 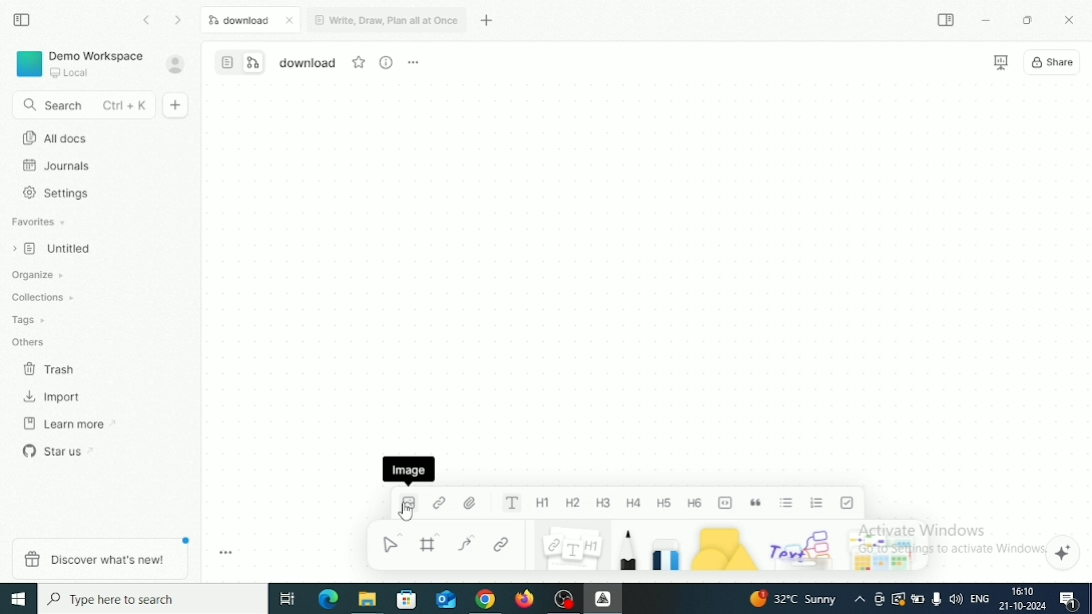 What do you see at coordinates (408, 514) in the screenshot?
I see `Cursor` at bounding box center [408, 514].